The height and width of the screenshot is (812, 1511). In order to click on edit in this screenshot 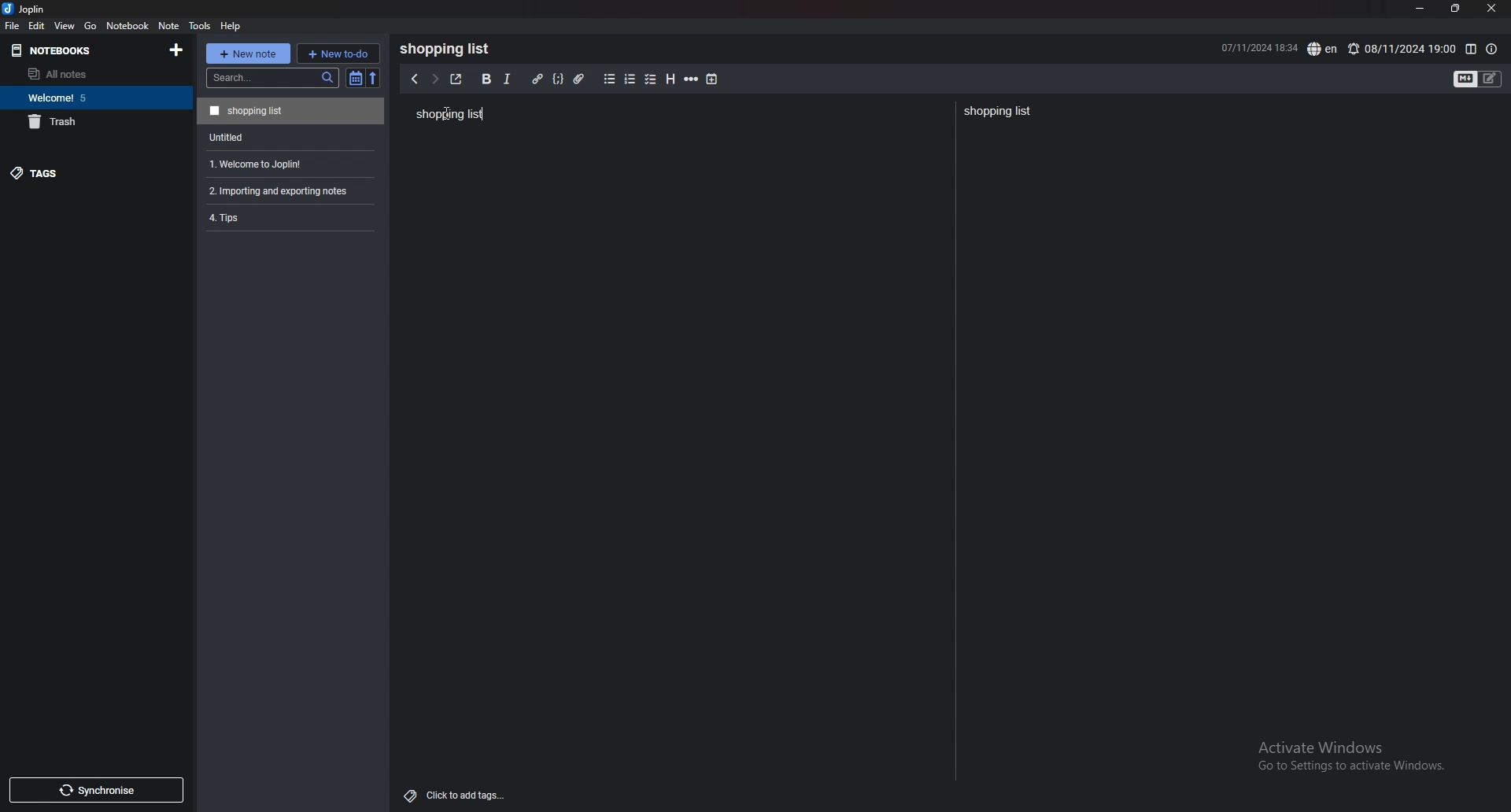, I will do `click(37, 25)`.